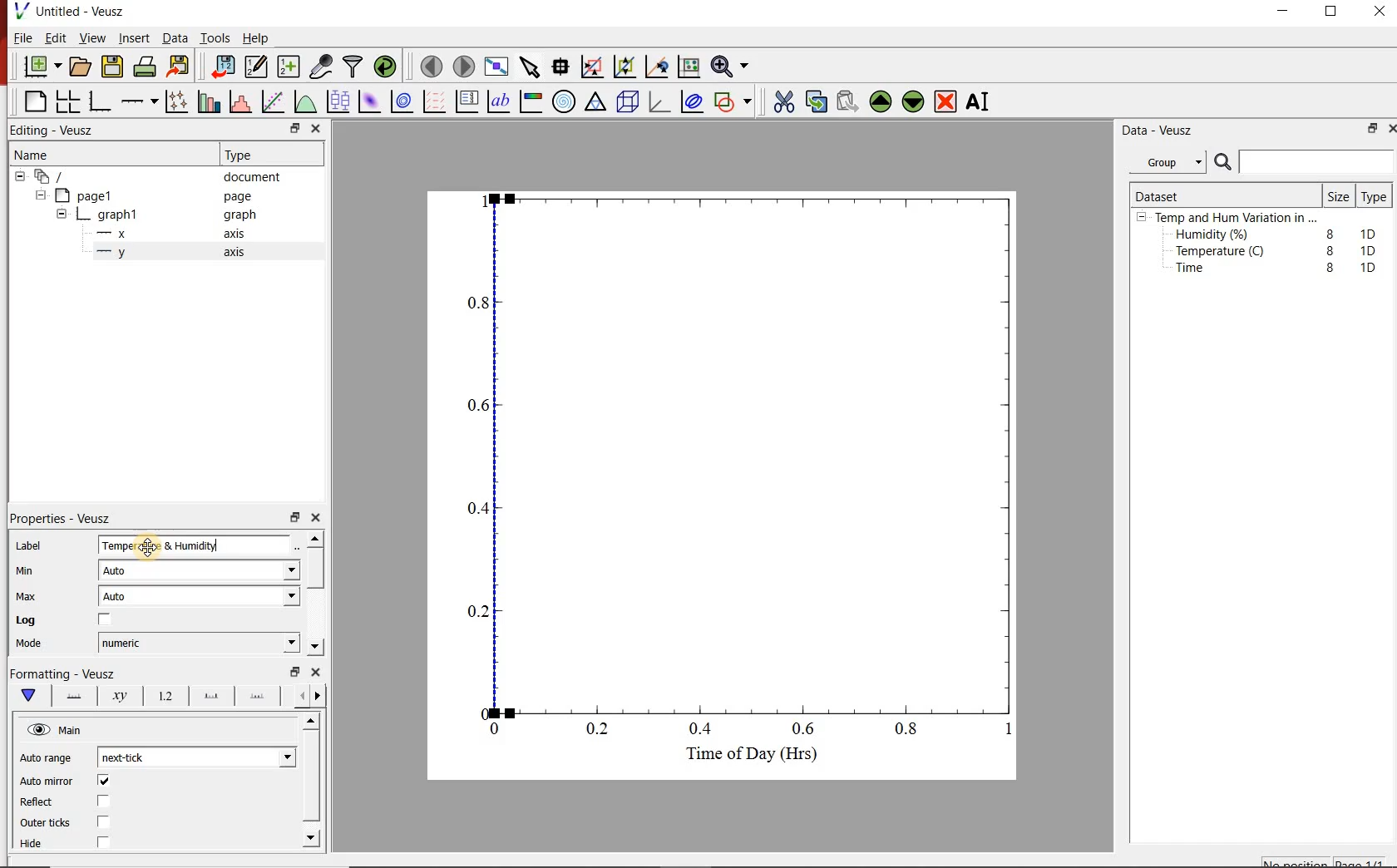  What do you see at coordinates (121, 698) in the screenshot?
I see `axis label` at bounding box center [121, 698].